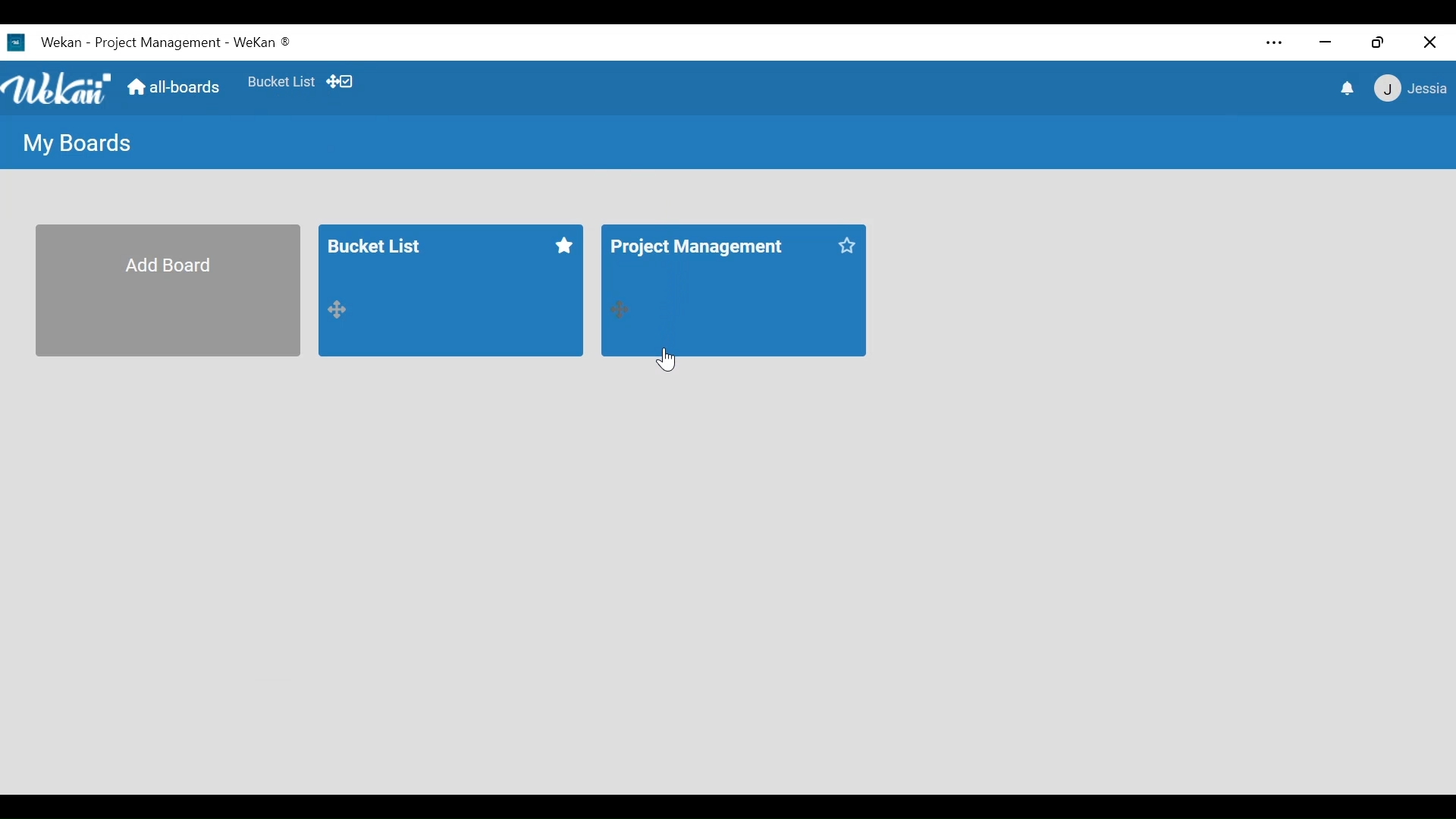 Image resolution: width=1456 pixels, height=819 pixels. I want to click on Wekan Desktop icon, so click(44, 44).